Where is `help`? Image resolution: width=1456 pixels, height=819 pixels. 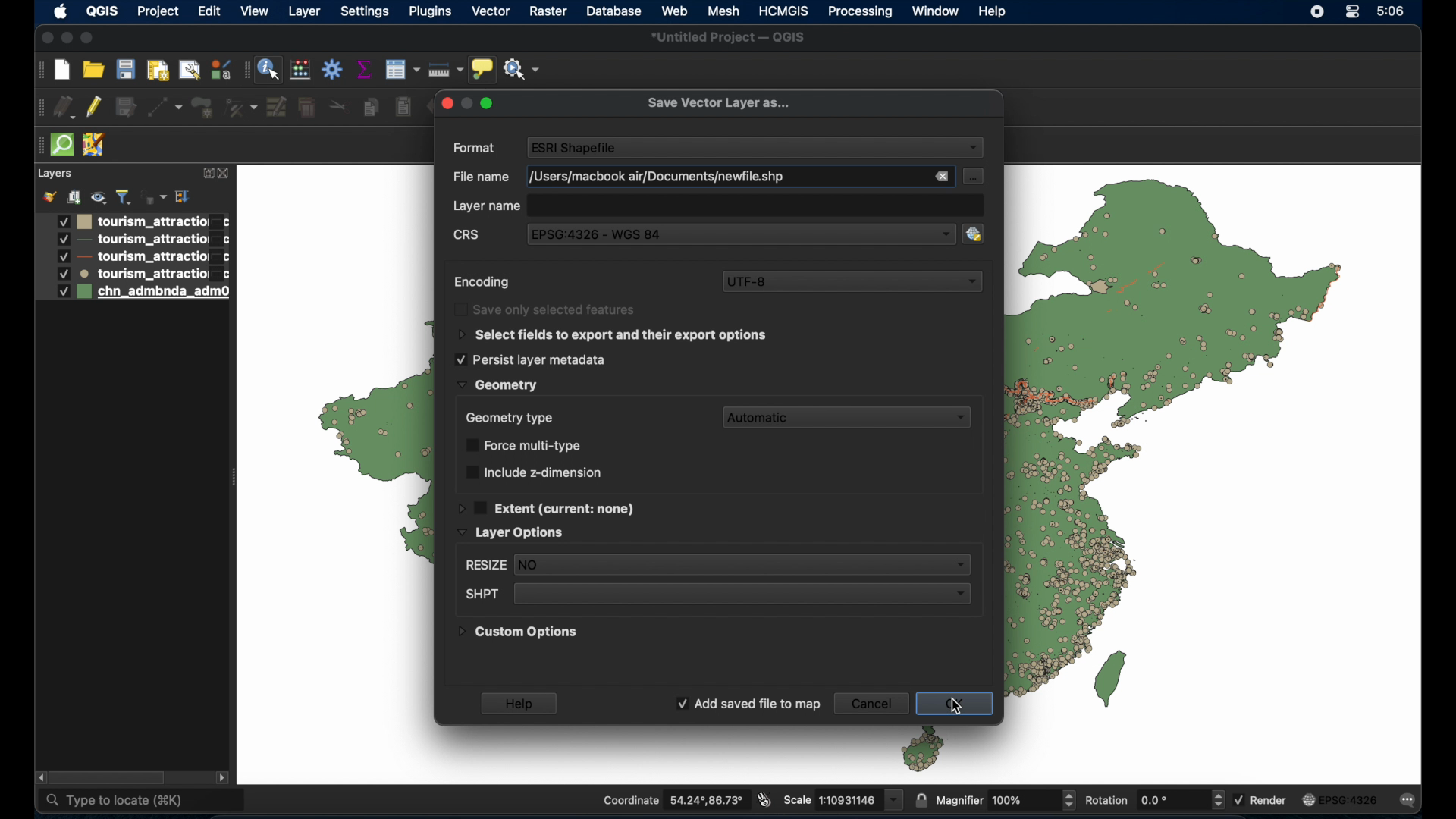
help is located at coordinates (521, 703).